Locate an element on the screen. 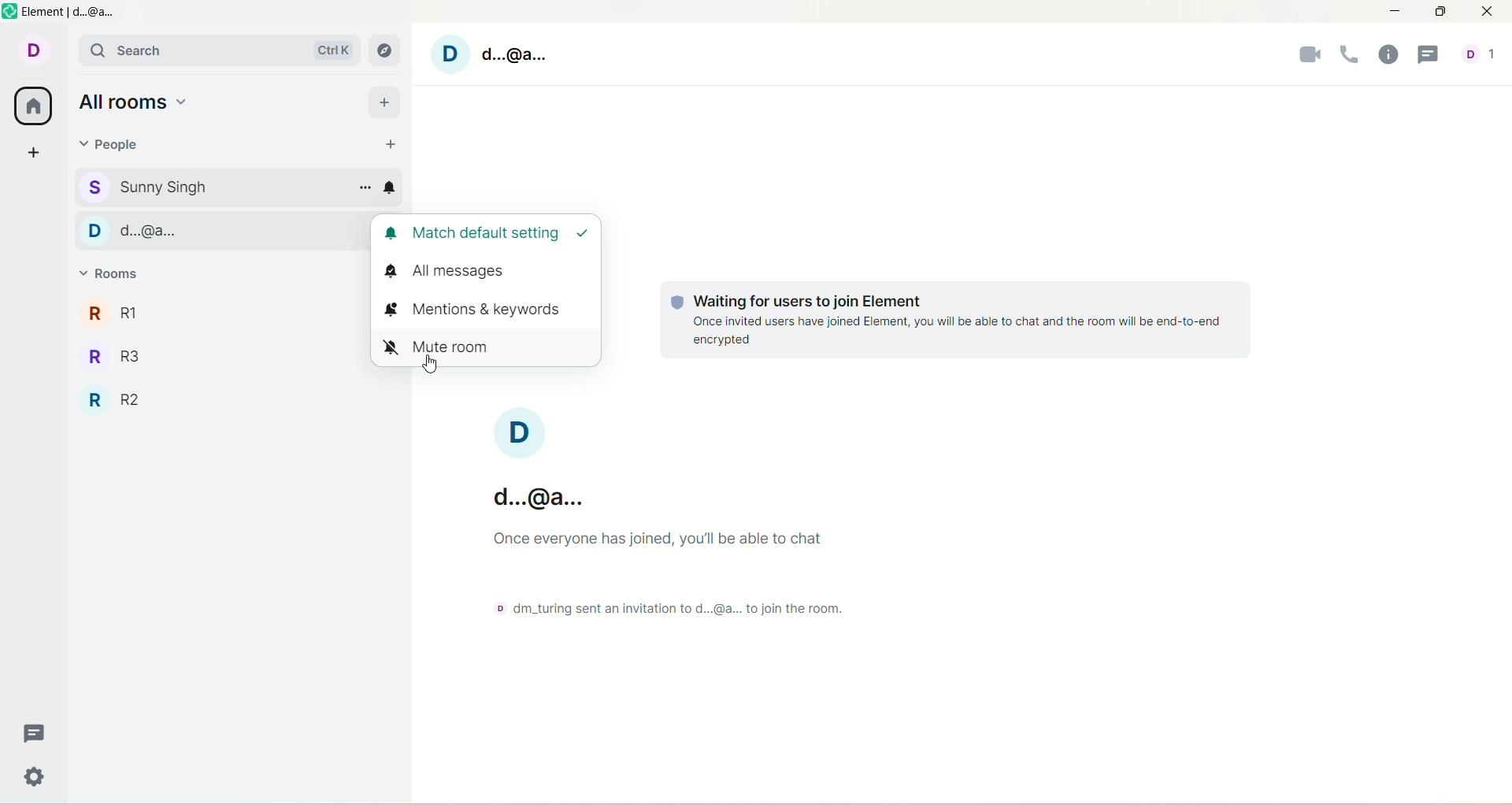 This screenshot has height=805, width=1512. voice call is located at coordinates (1349, 57).